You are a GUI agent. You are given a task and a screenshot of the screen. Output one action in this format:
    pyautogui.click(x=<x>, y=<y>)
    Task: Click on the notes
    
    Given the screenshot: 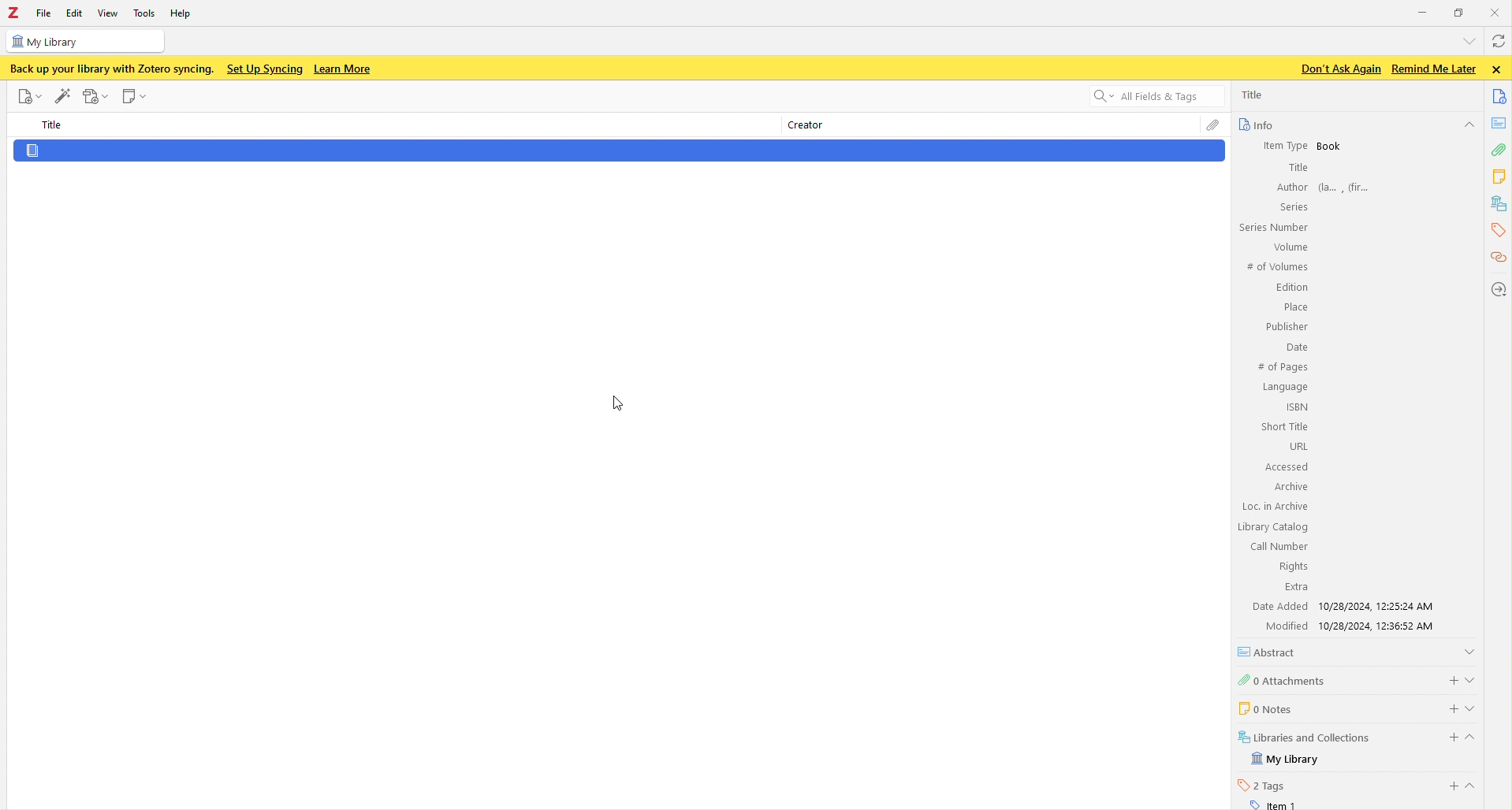 What is the action you would take?
    pyautogui.click(x=1500, y=123)
    